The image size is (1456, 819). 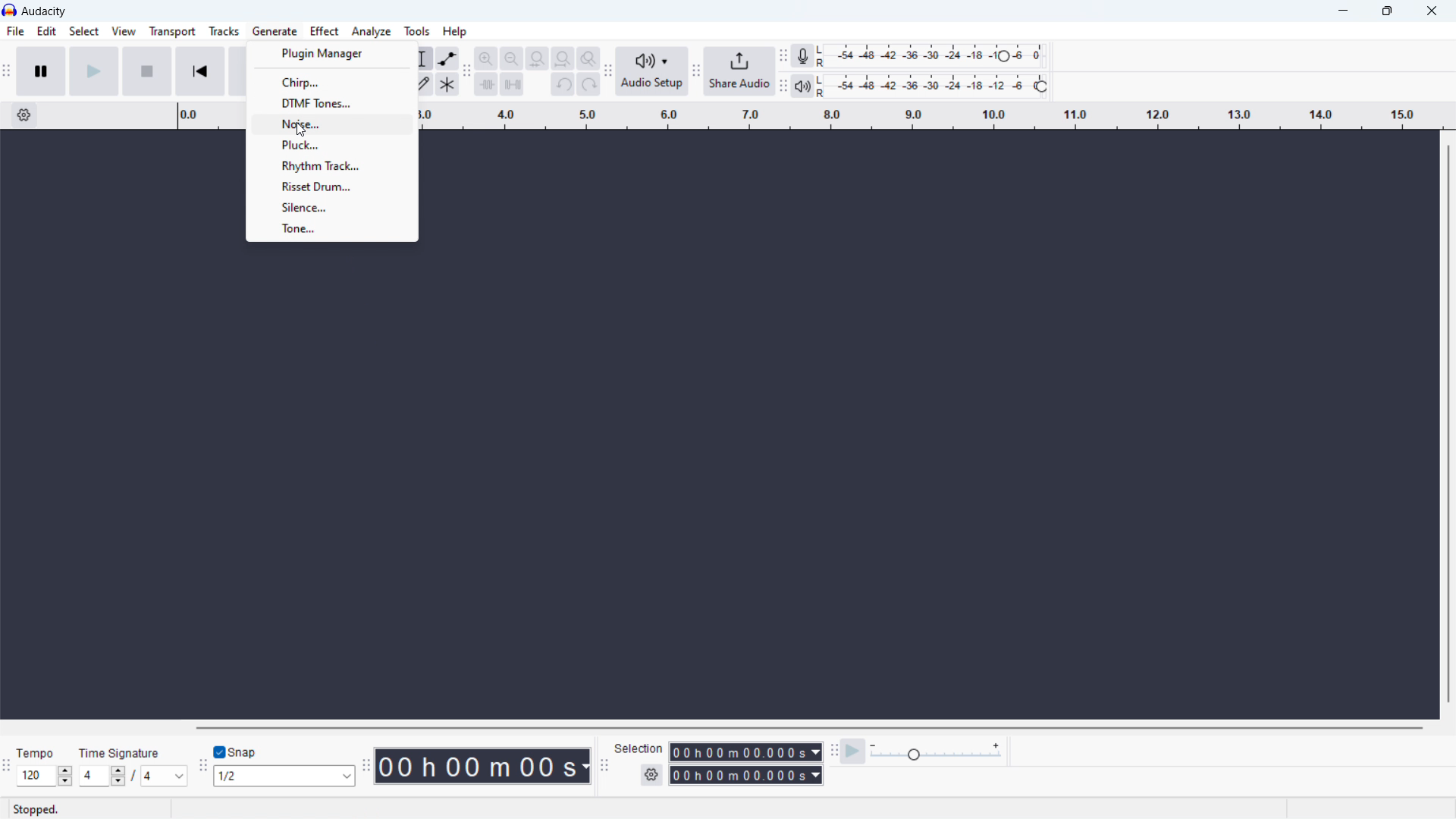 What do you see at coordinates (454, 30) in the screenshot?
I see `help` at bounding box center [454, 30].